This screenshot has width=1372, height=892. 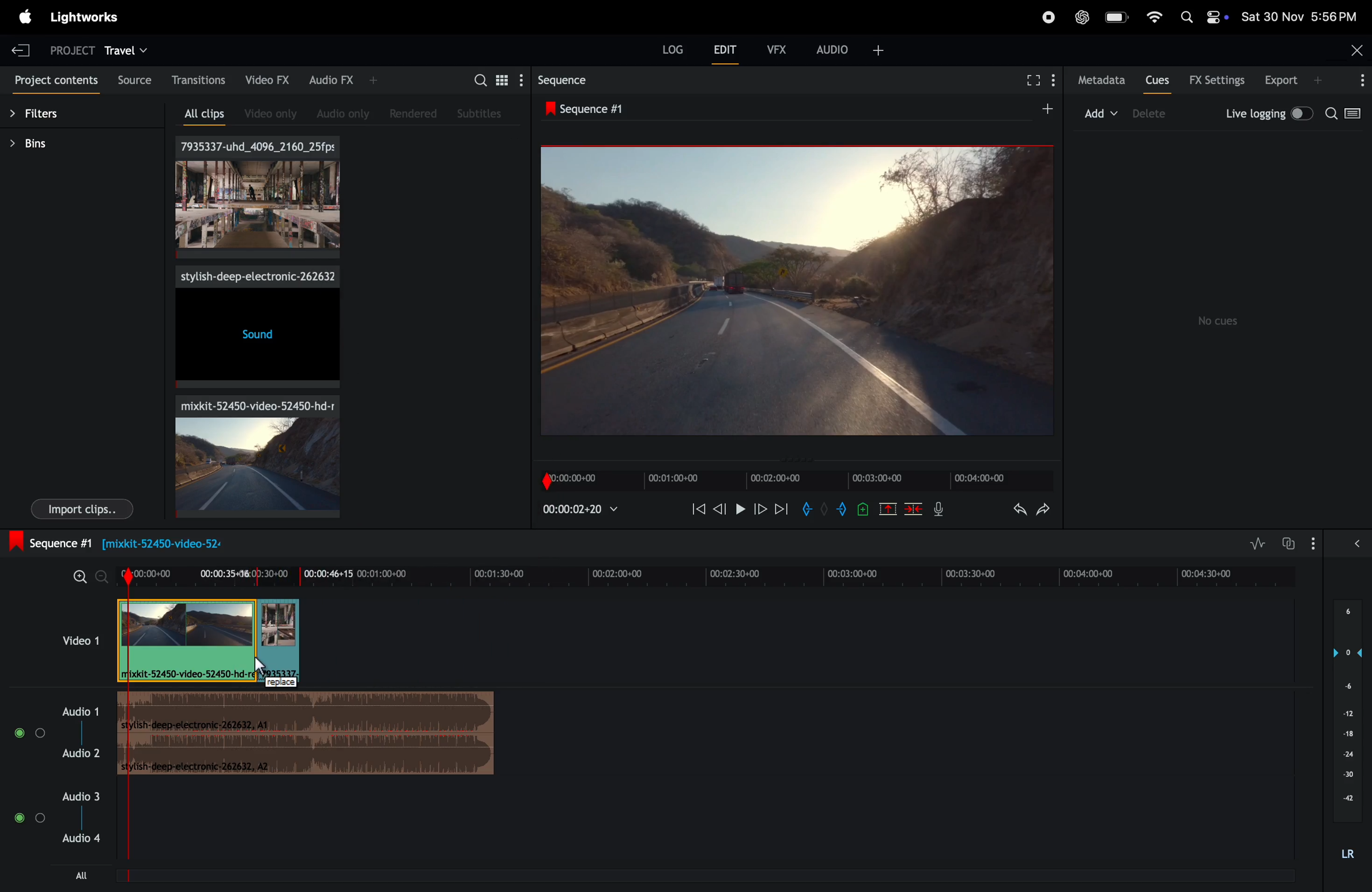 What do you see at coordinates (1291, 542) in the screenshot?
I see `toggle audio track sync` at bounding box center [1291, 542].